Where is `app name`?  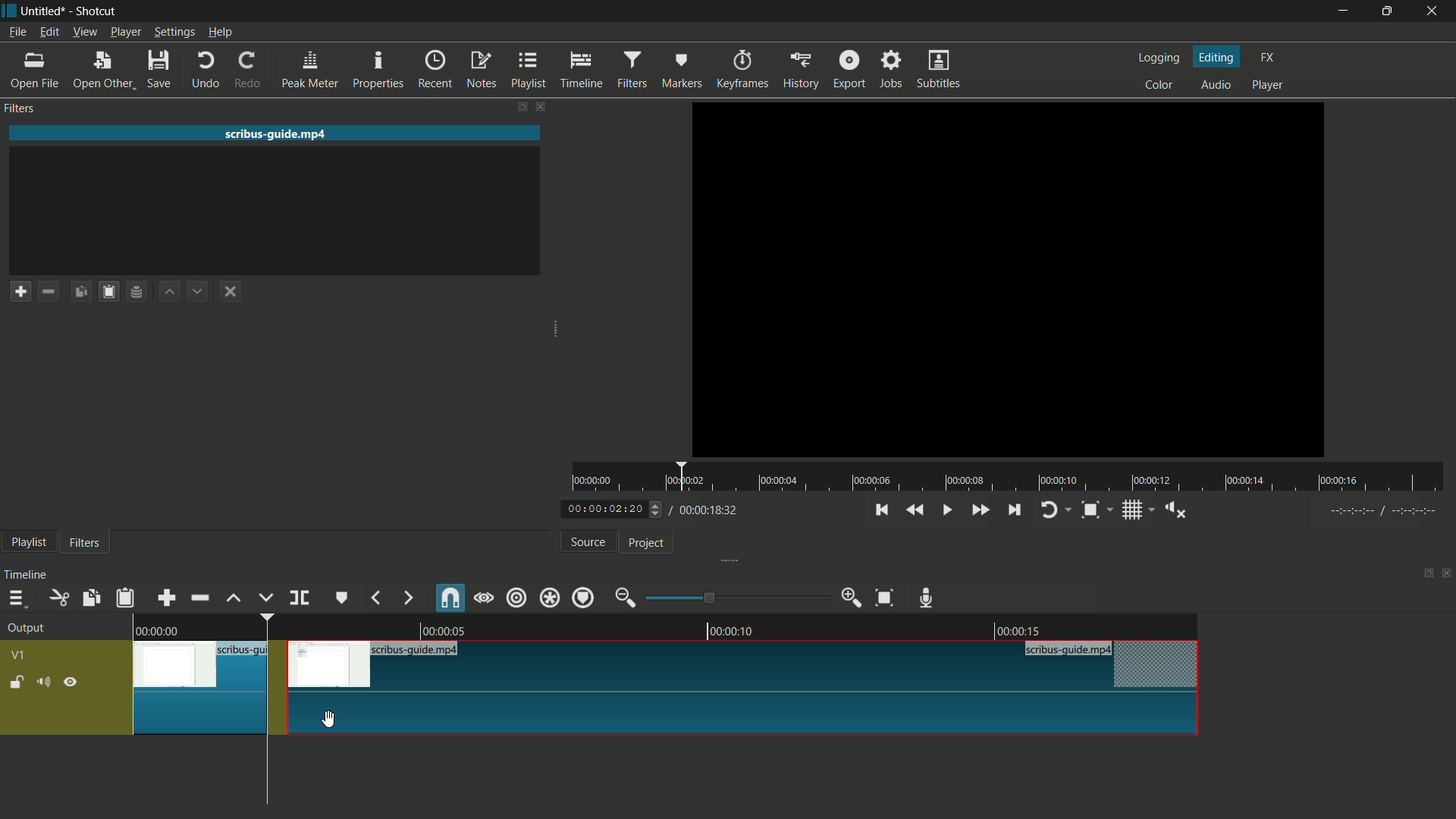
app name is located at coordinates (96, 11).